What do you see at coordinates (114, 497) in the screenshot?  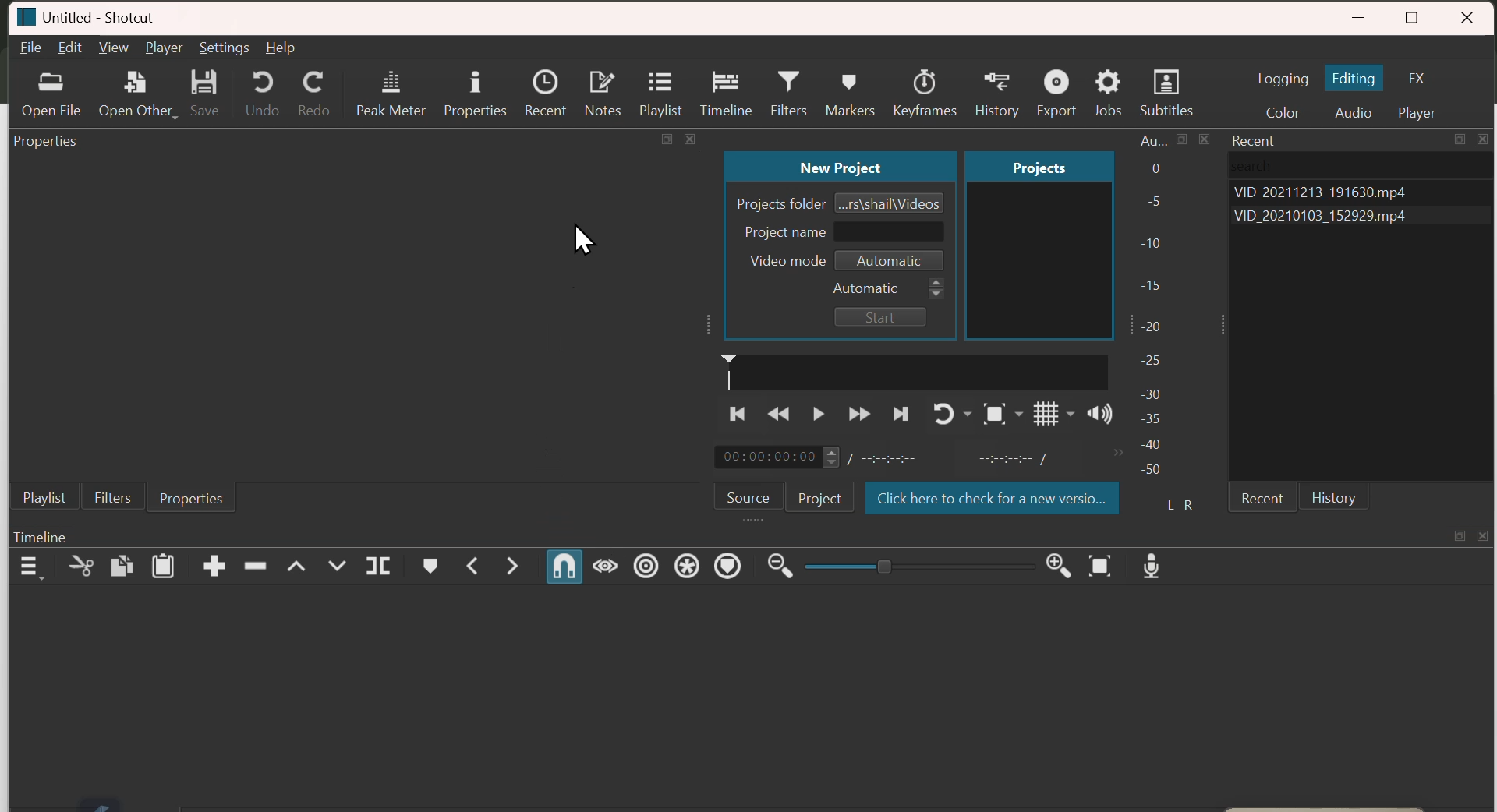 I see `philtres` at bounding box center [114, 497].